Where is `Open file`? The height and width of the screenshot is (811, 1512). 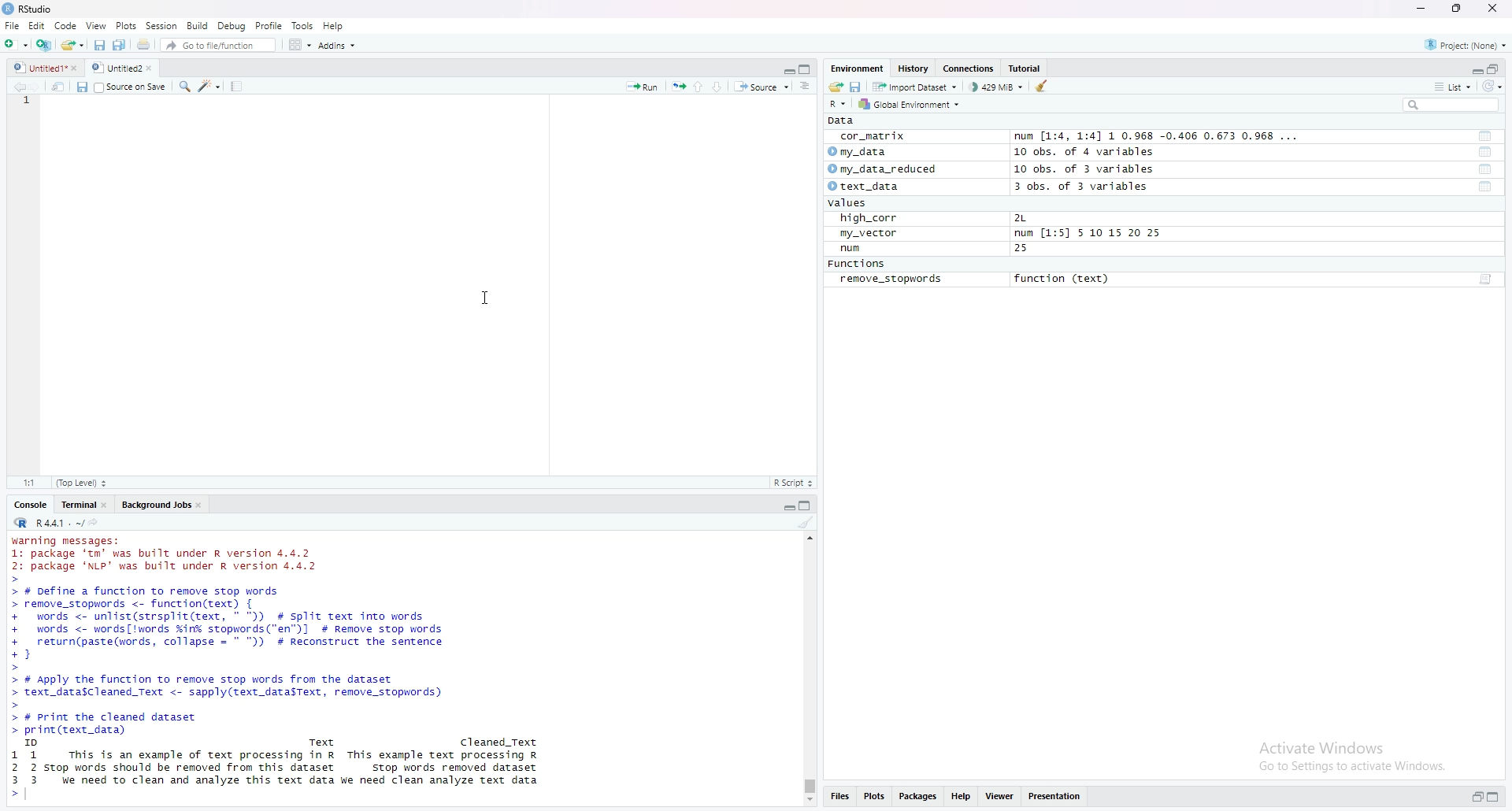 Open file is located at coordinates (835, 88).